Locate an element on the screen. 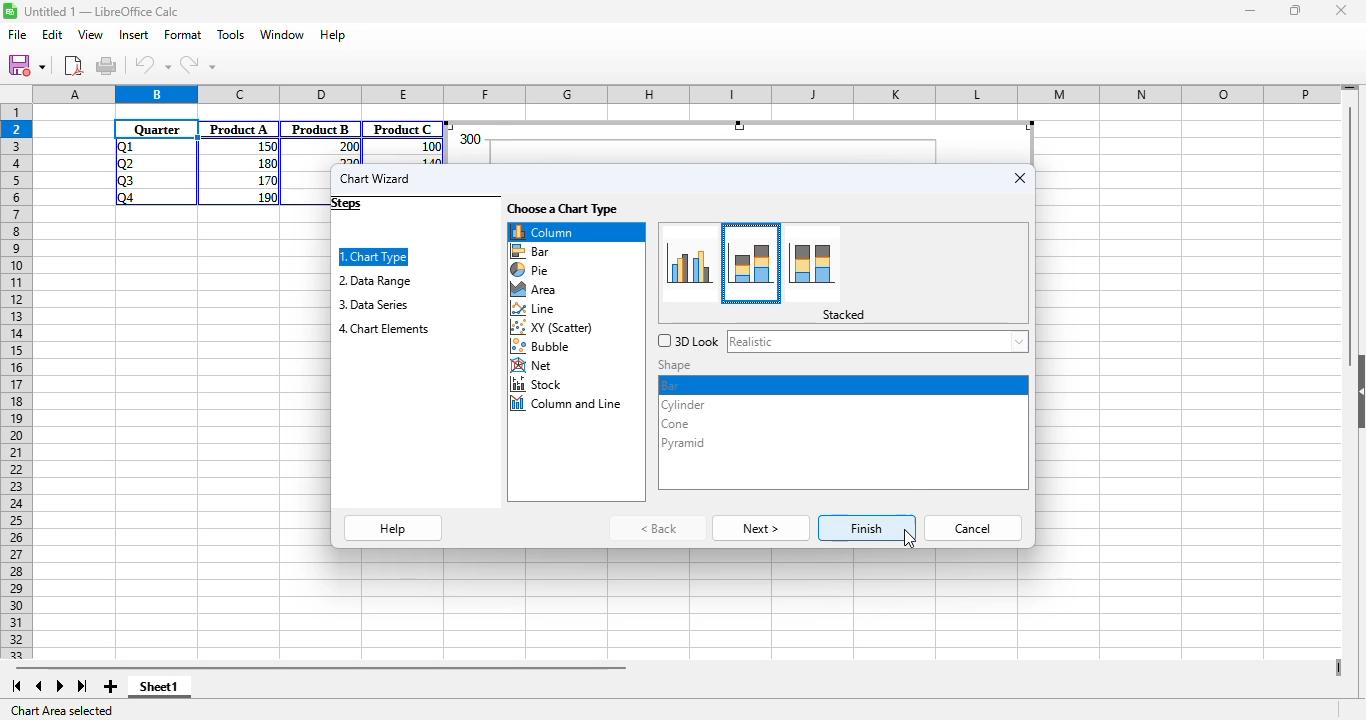  stacked column chart selected is located at coordinates (752, 262).